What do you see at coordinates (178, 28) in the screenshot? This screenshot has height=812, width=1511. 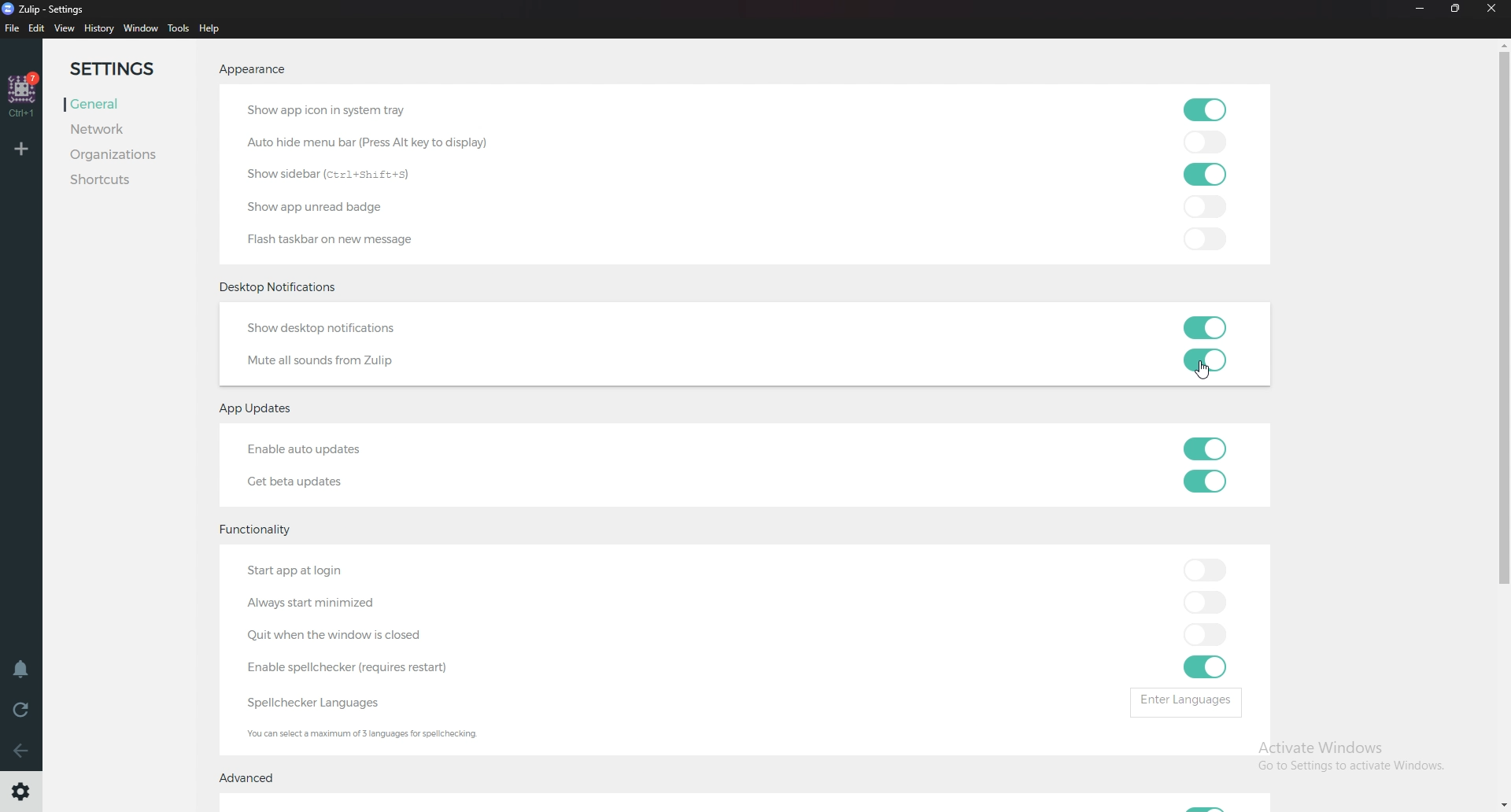 I see `Tools` at bounding box center [178, 28].